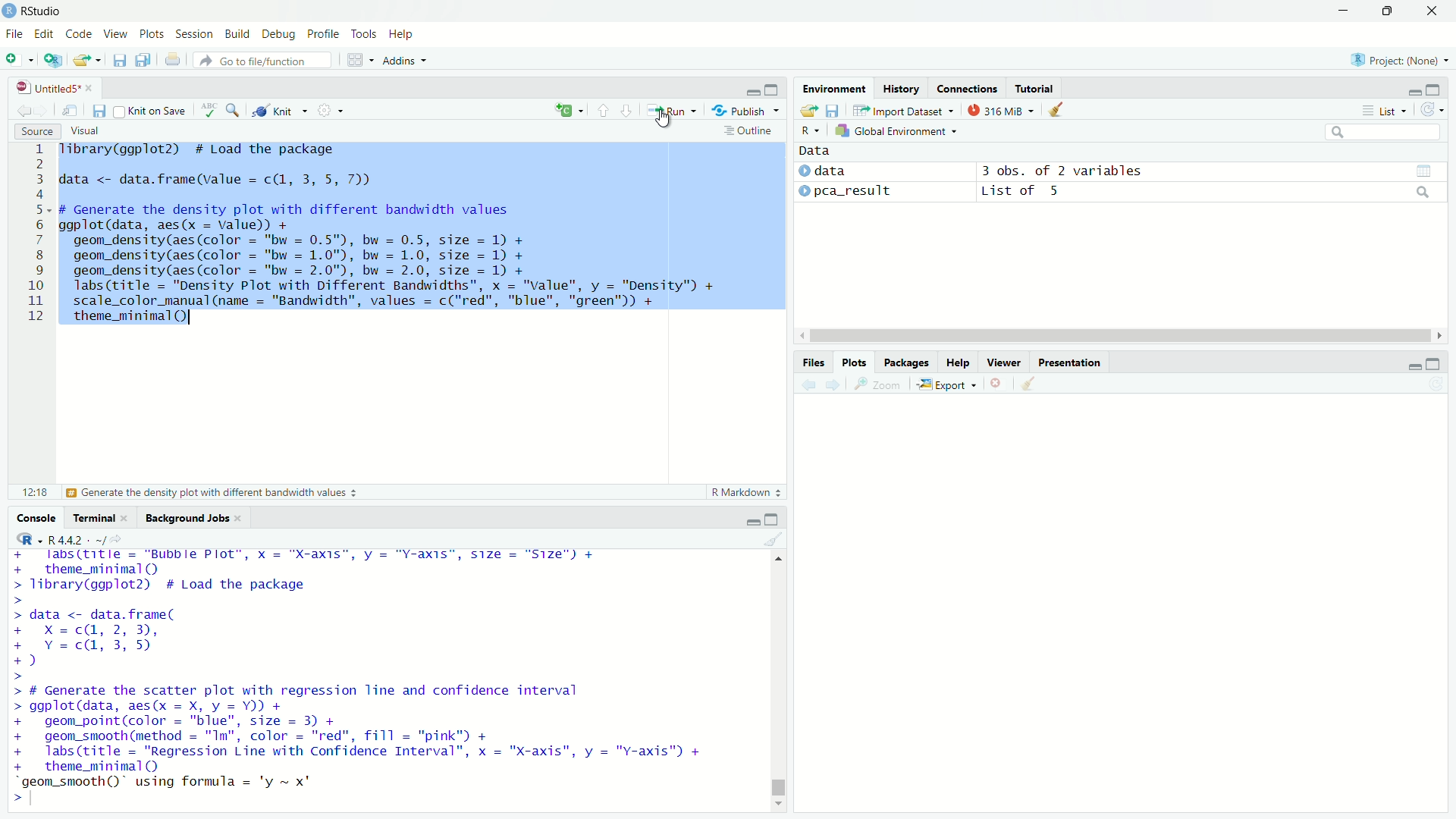 Image resolution: width=1456 pixels, height=819 pixels. What do you see at coordinates (1398, 58) in the screenshot?
I see `Project: (None)` at bounding box center [1398, 58].